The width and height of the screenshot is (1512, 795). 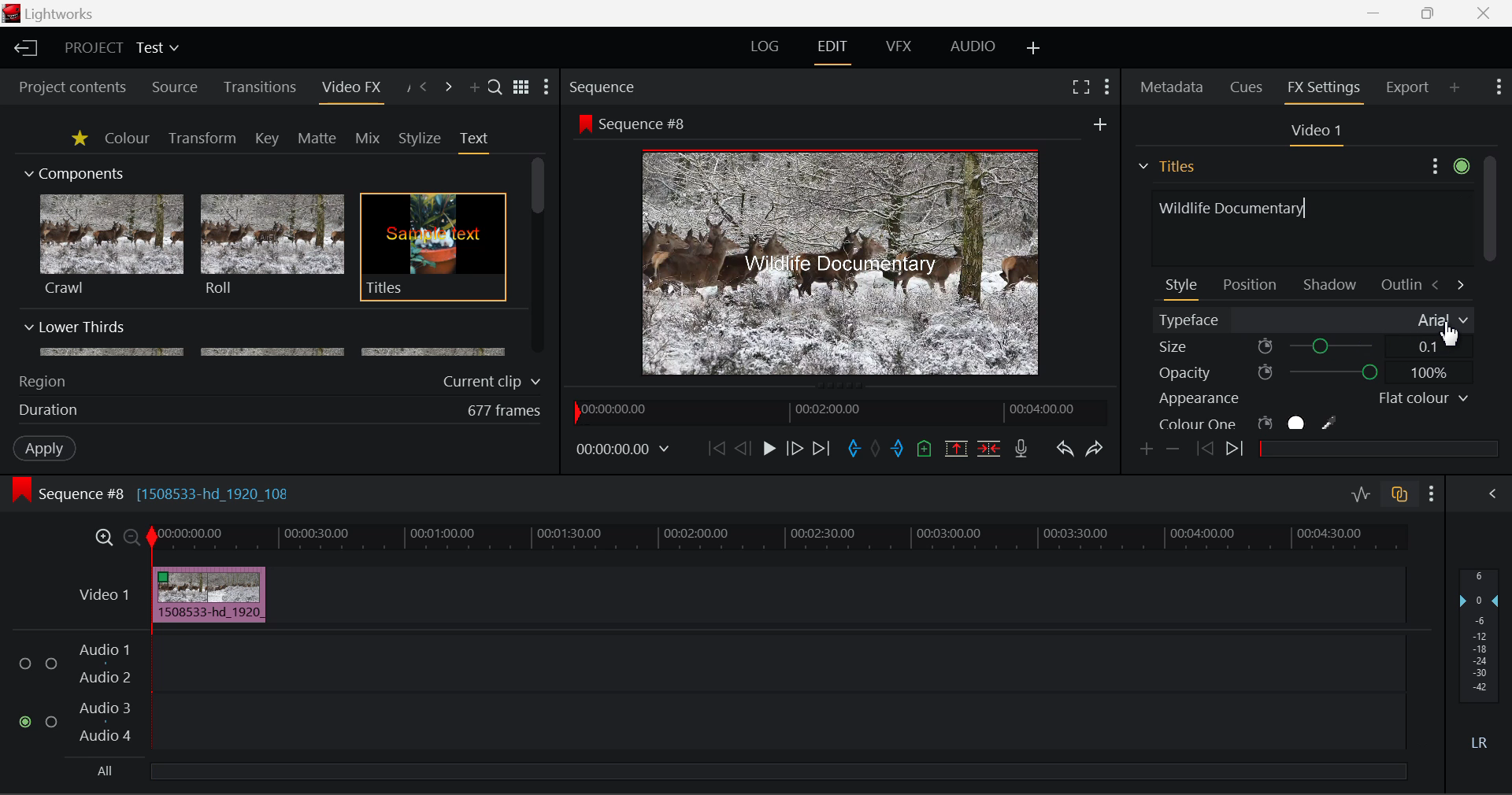 What do you see at coordinates (81, 139) in the screenshot?
I see `Favorites` at bounding box center [81, 139].